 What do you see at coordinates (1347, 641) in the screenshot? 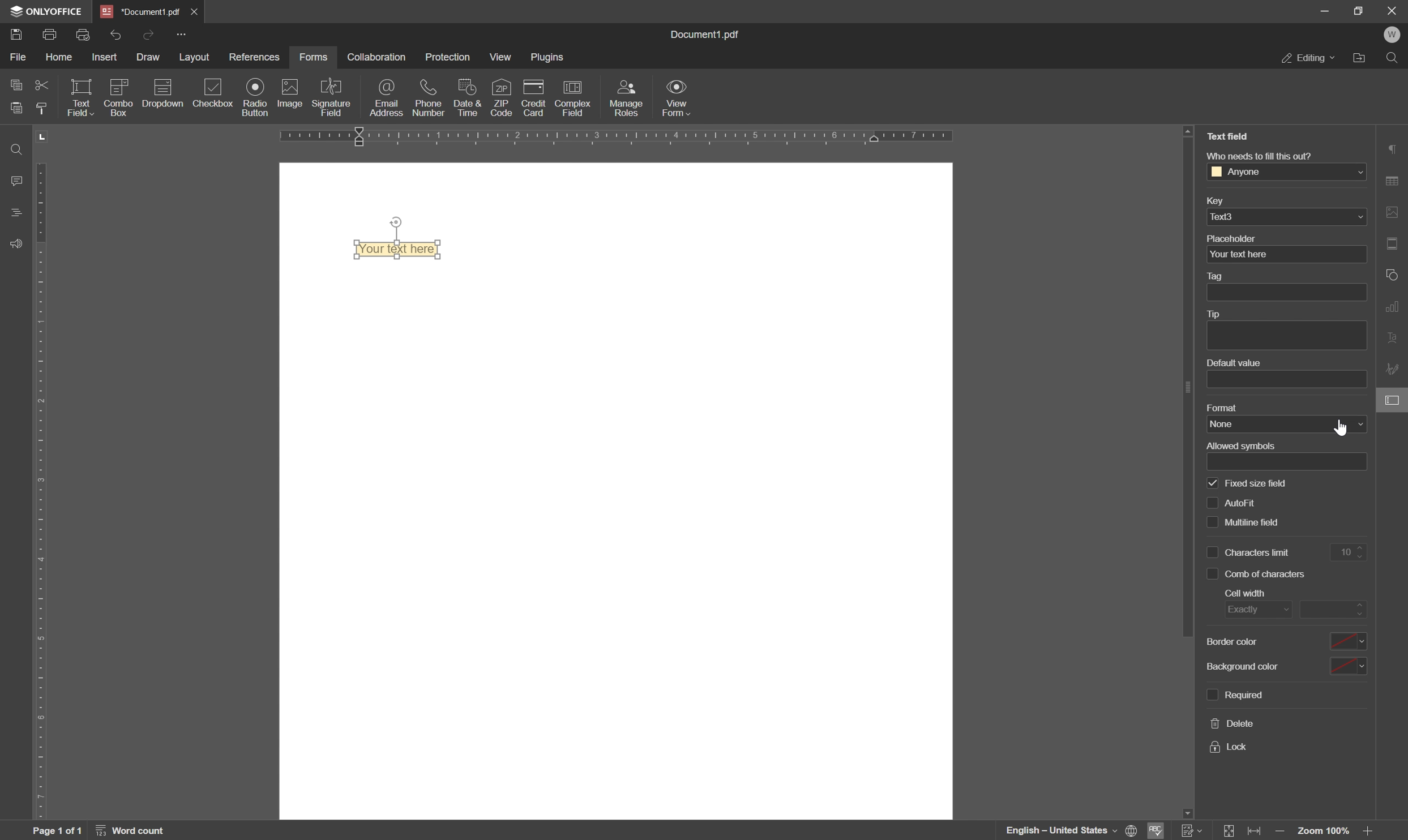
I see `select border color` at bounding box center [1347, 641].